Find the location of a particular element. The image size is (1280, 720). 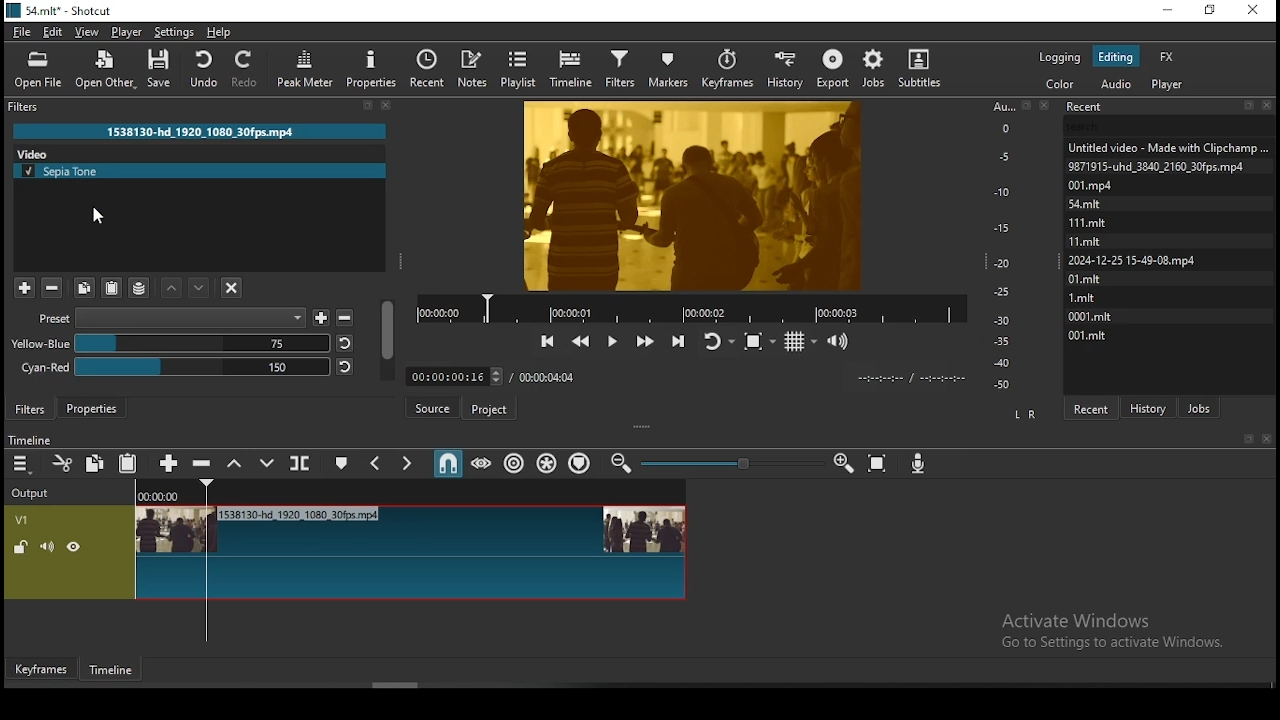

delete preset is located at coordinates (344, 318).